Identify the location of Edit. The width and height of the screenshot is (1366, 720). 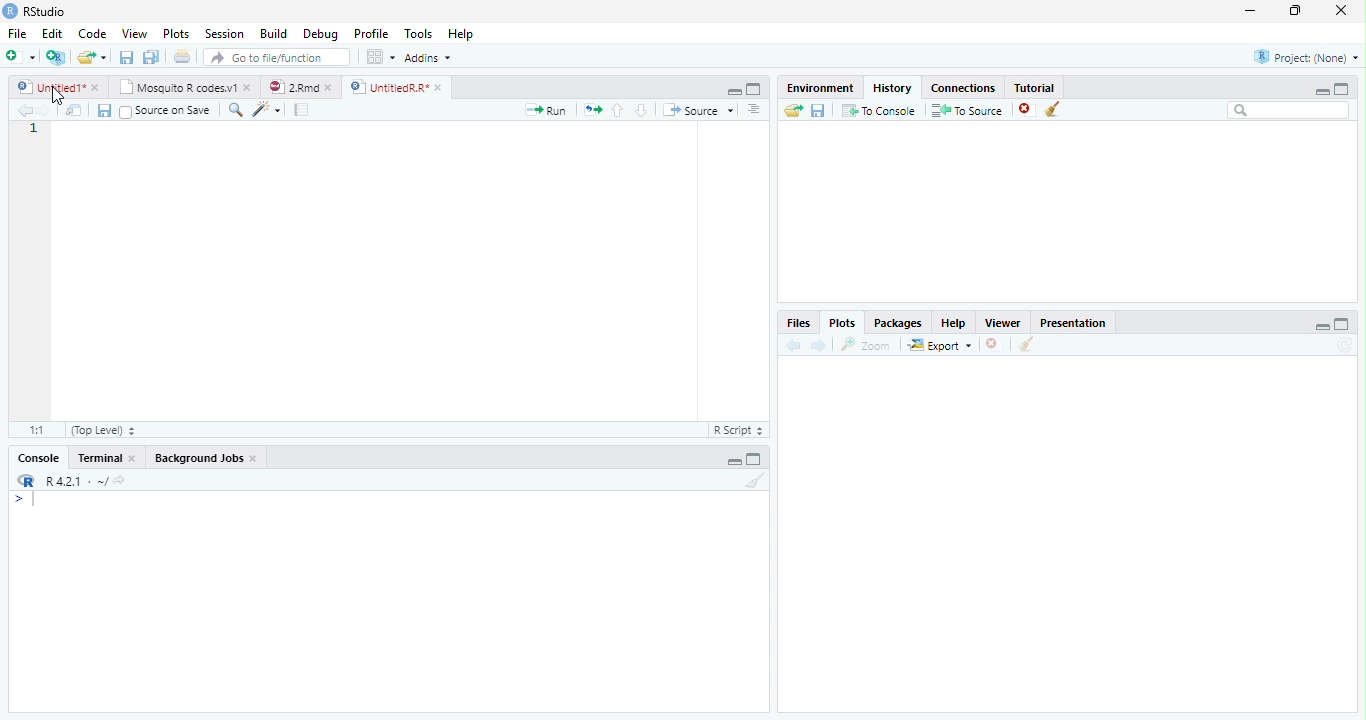
(51, 33).